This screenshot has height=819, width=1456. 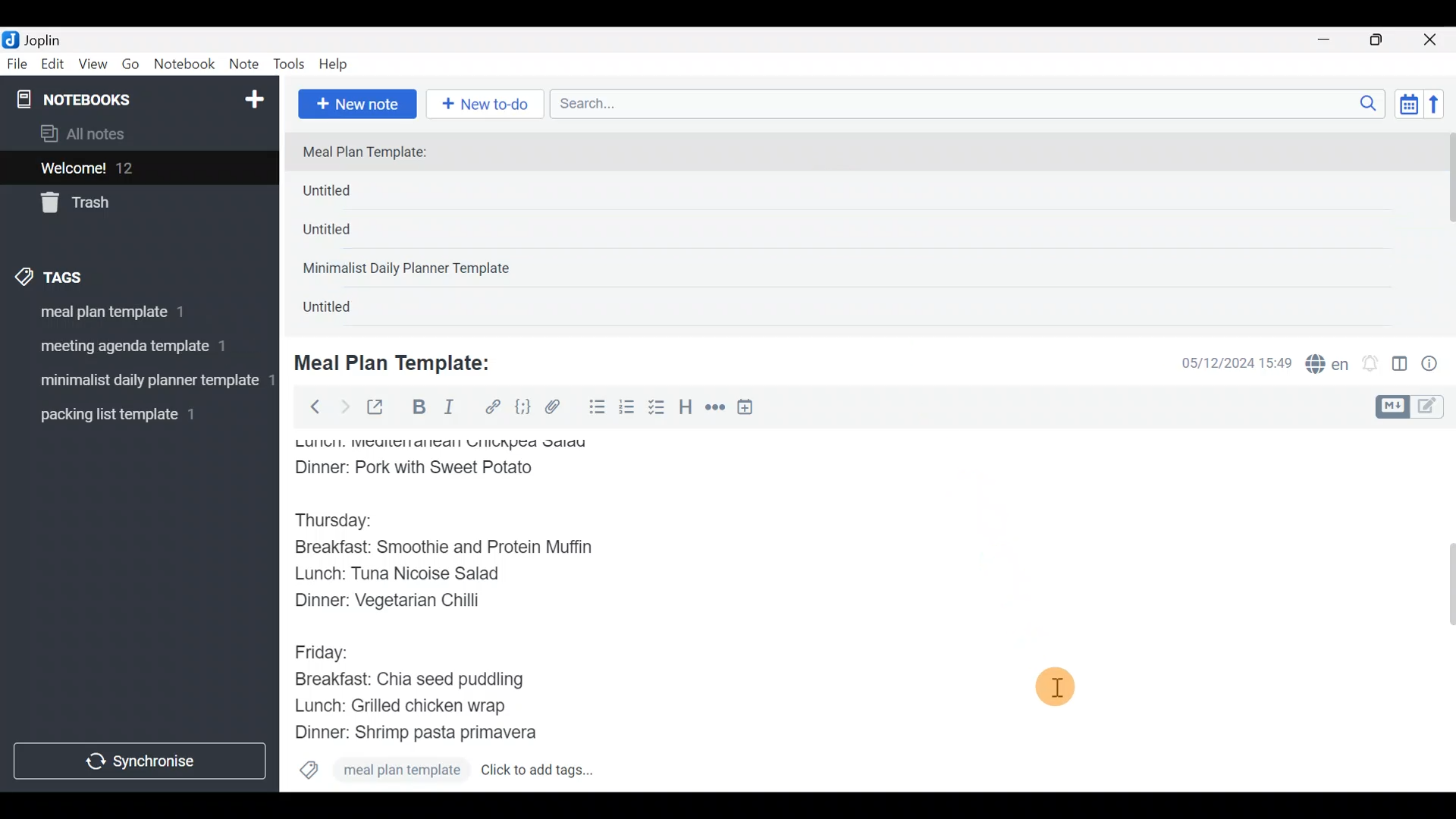 What do you see at coordinates (627, 410) in the screenshot?
I see `Numbered list` at bounding box center [627, 410].